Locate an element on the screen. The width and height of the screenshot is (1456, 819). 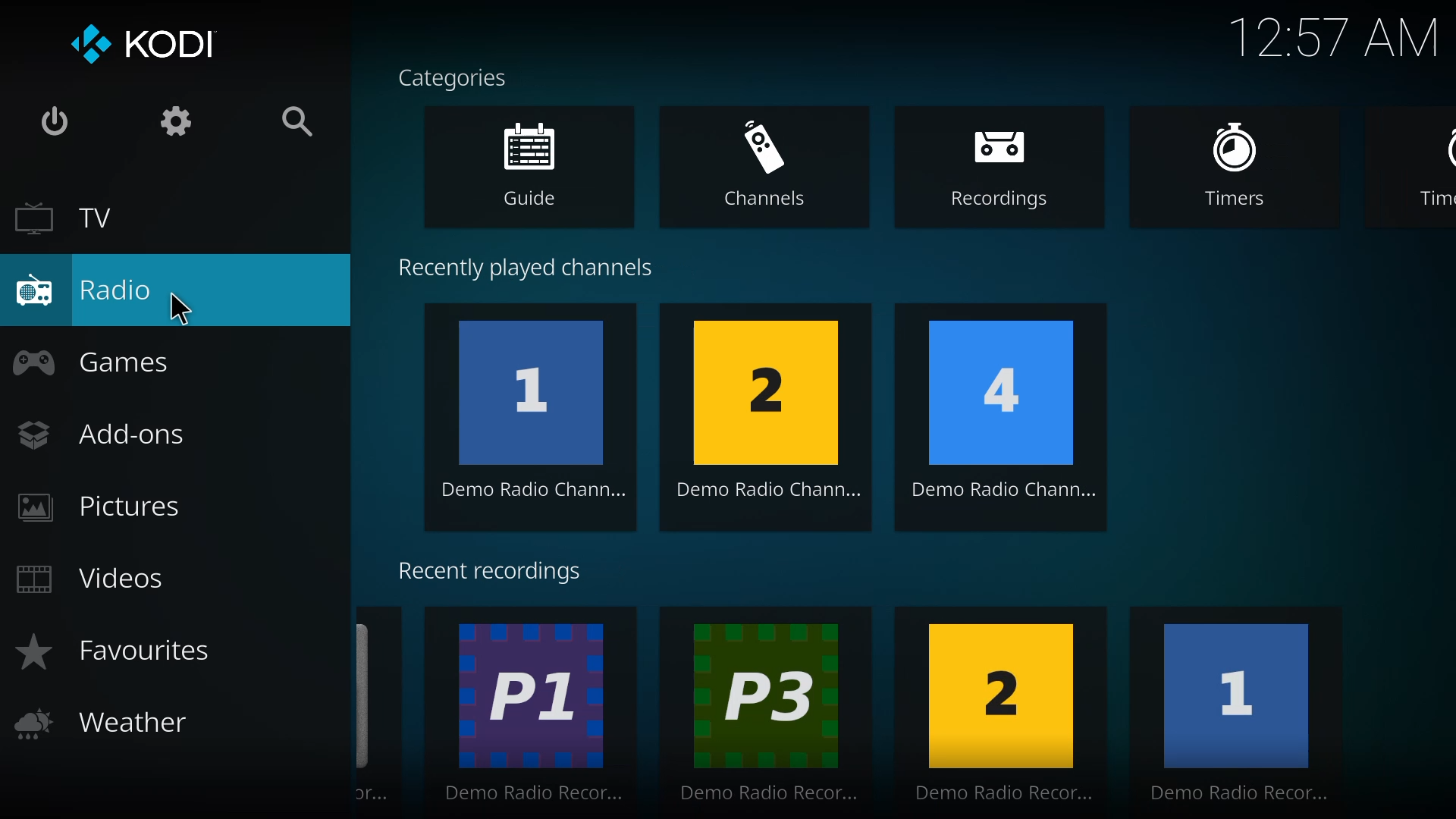
channels is located at coordinates (765, 165).